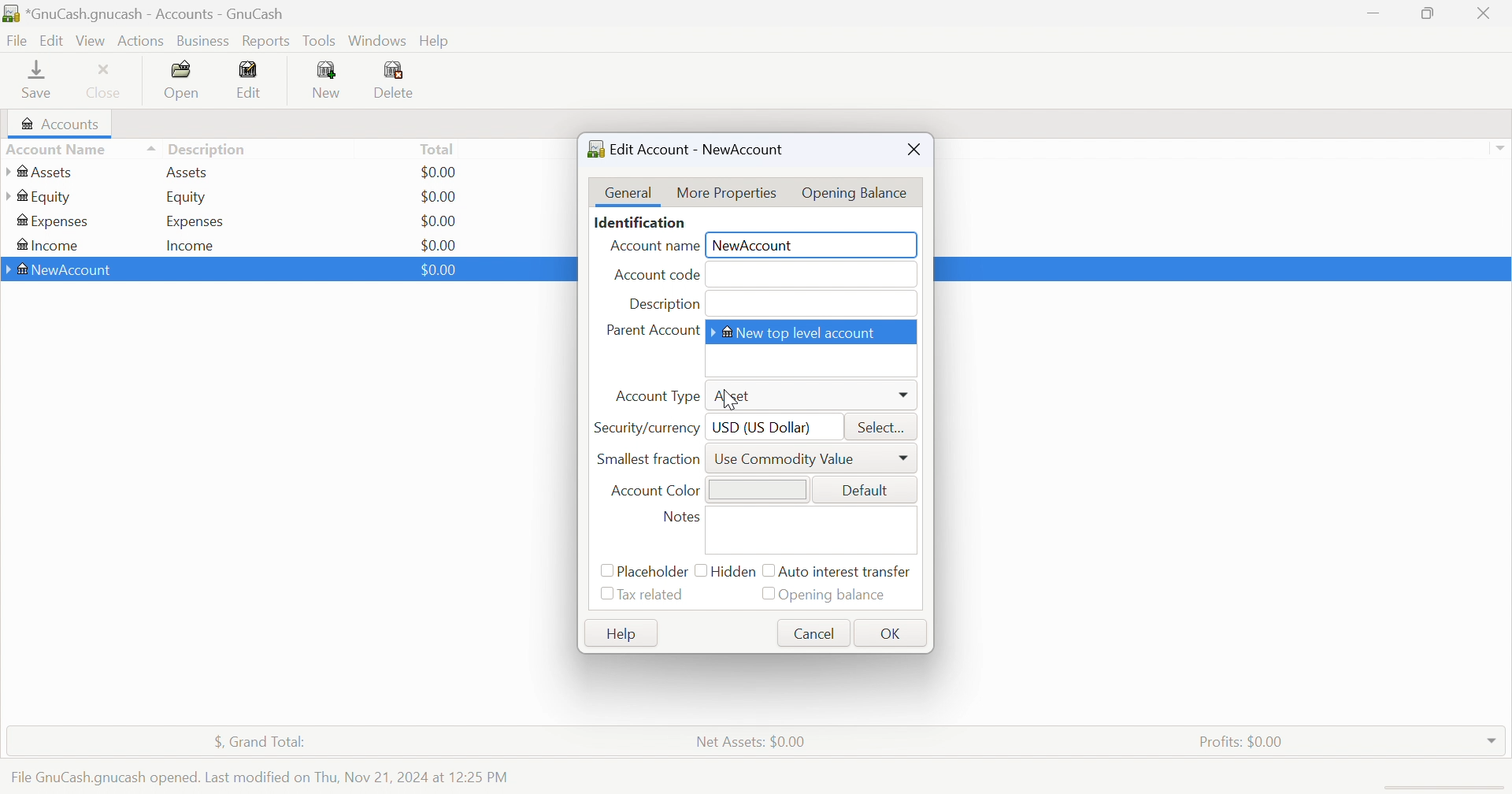 This screenshot has width=1512, height=794. What do you see at coordinates (438, 269) in the screenshot?
I see `$0.00` at bounding box center [438, 269].